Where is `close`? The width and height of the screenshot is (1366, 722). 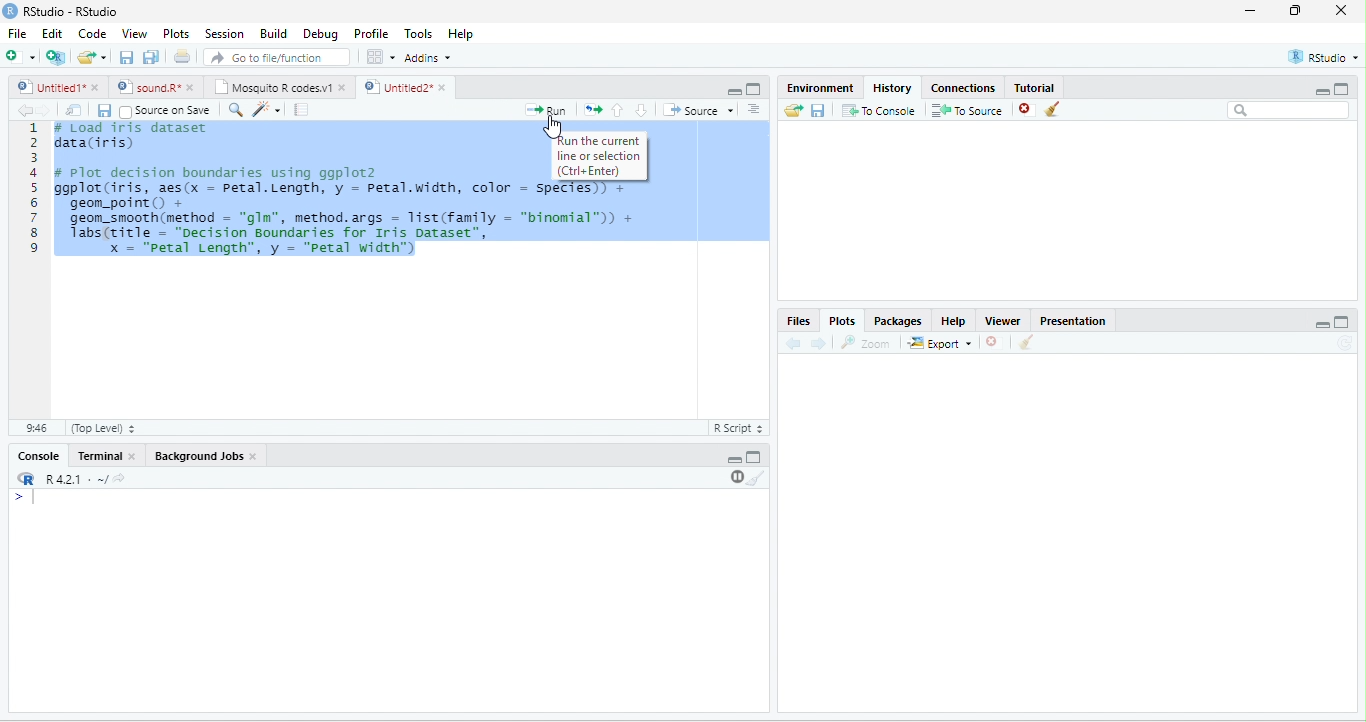 close is located at coordinates (445, 87).